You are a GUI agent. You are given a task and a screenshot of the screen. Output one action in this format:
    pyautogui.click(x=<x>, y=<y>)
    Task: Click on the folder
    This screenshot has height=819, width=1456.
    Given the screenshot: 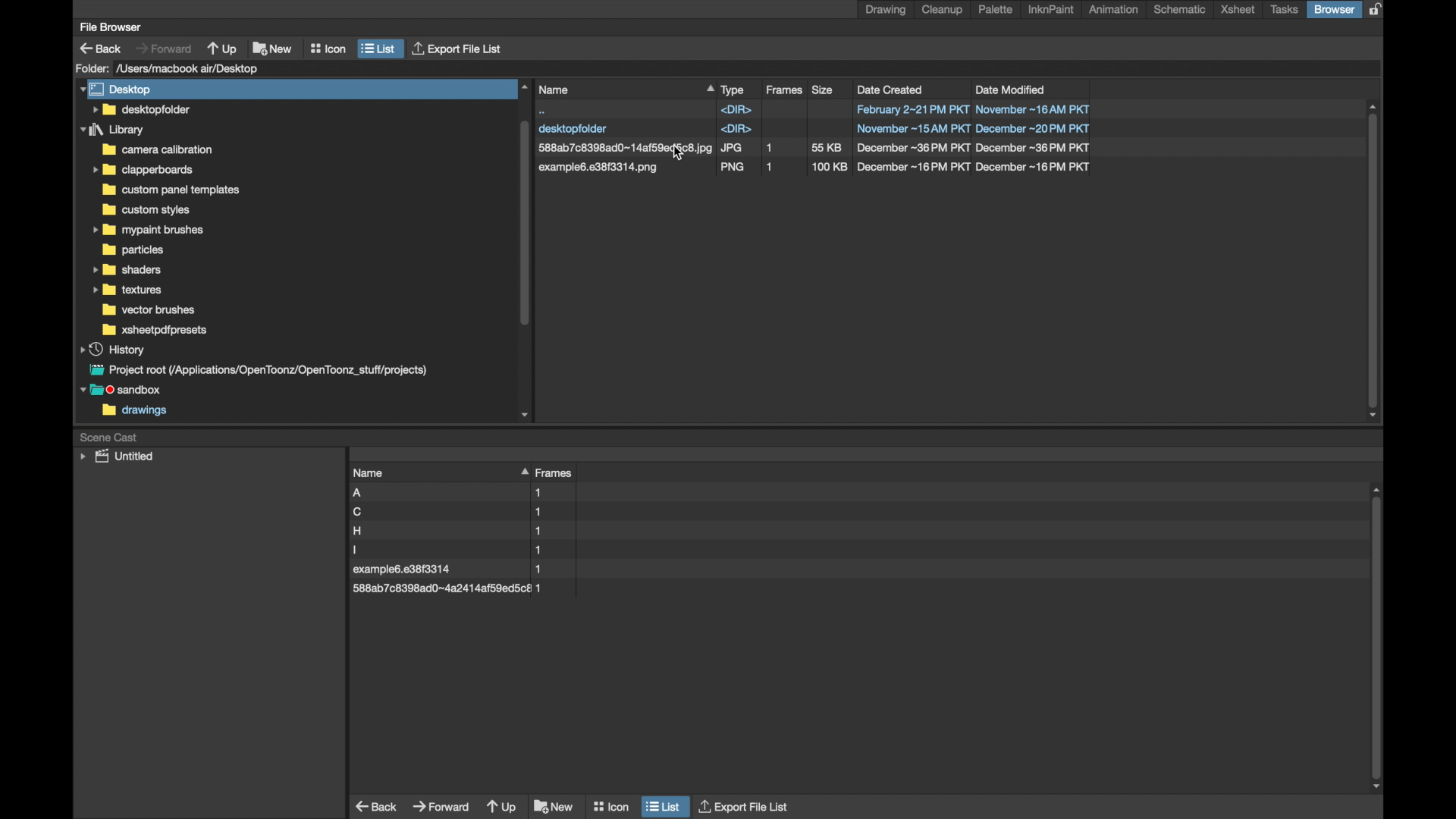 What is the action you would take?
    pyautogui.click(x=113, y=130)
    